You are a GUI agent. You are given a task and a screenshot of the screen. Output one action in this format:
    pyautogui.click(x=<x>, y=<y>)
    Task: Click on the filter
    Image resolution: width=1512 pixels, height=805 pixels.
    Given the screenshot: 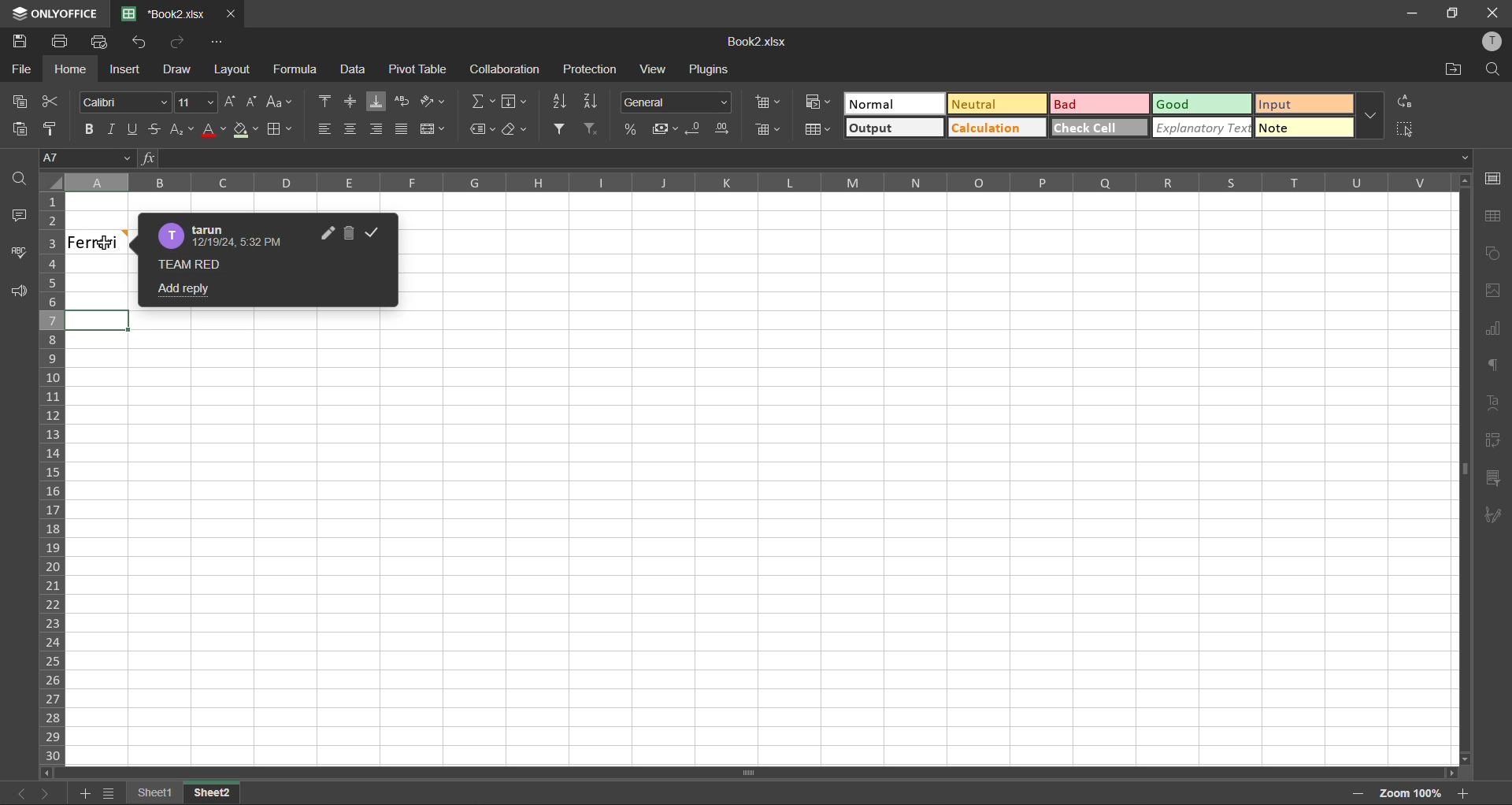 What is the action you would take?
    pyautogui.click(x=561, y=130)
    